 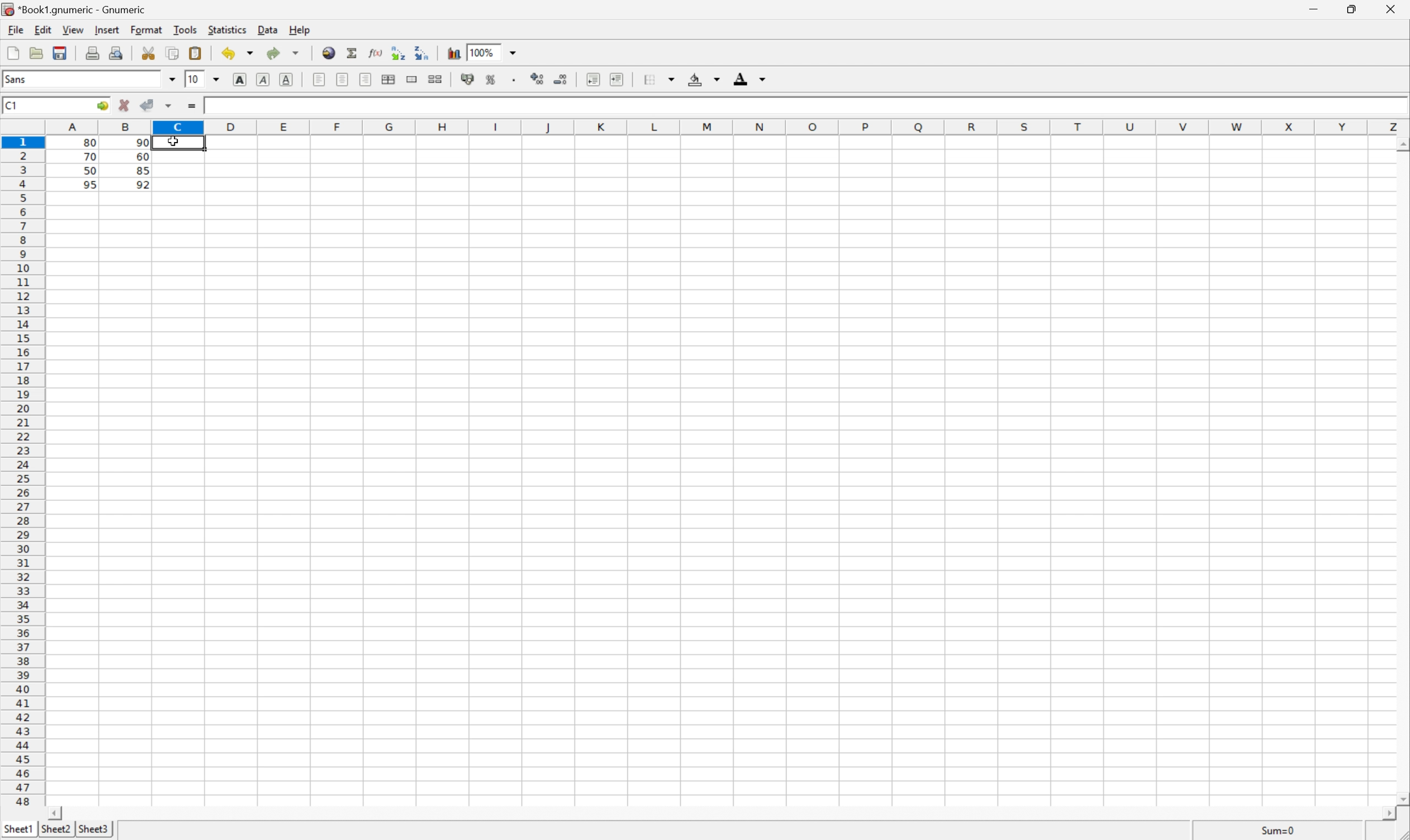 What do you see at coordinates (91, 158) in the screenshot?
I see `70` at bounding box center [91, 158].